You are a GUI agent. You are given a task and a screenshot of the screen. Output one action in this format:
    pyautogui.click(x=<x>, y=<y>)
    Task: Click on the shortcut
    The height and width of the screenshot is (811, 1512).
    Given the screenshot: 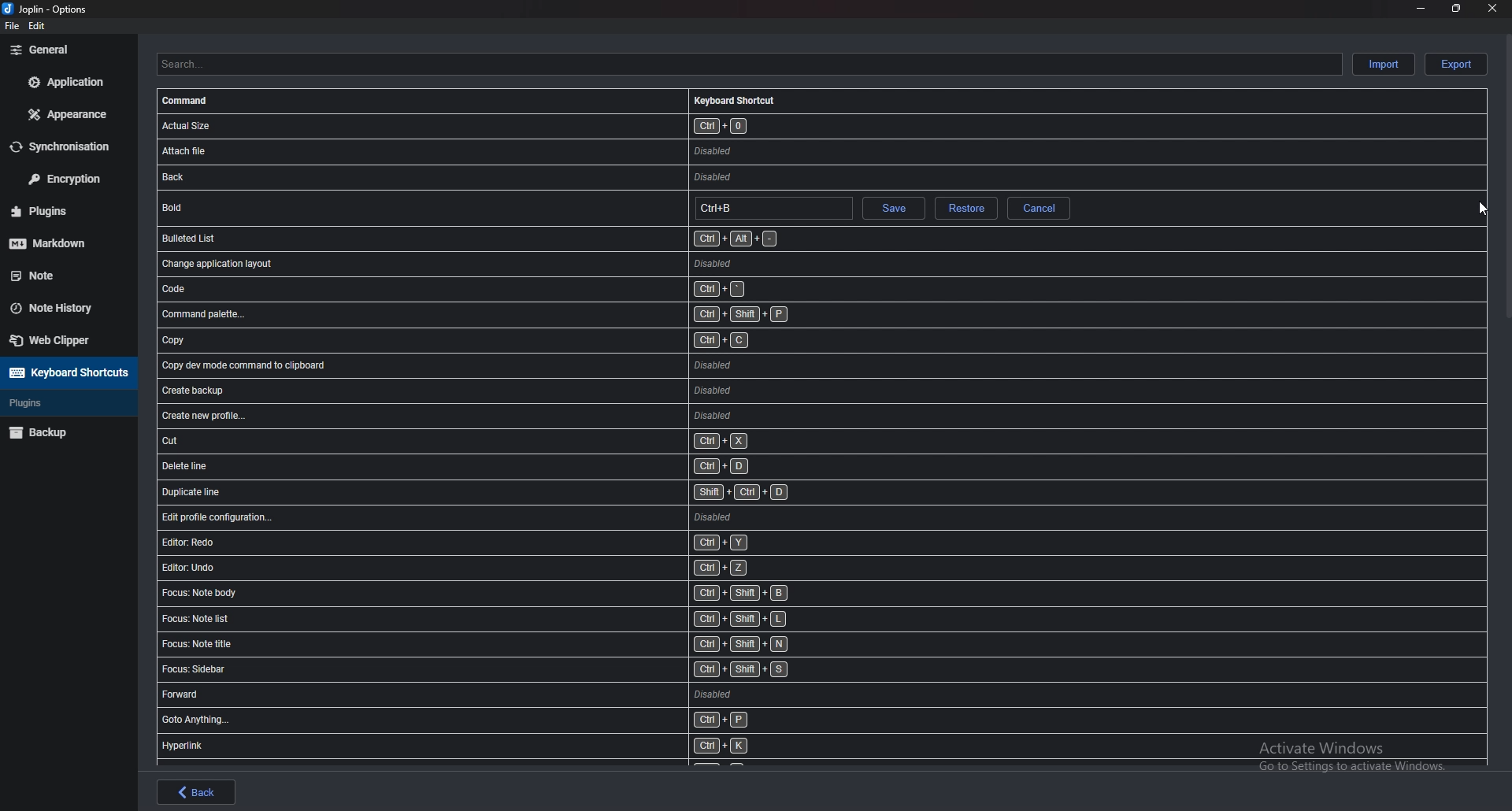 What is the action you would take?
    pyautogui.click(x=516, y=390)
    